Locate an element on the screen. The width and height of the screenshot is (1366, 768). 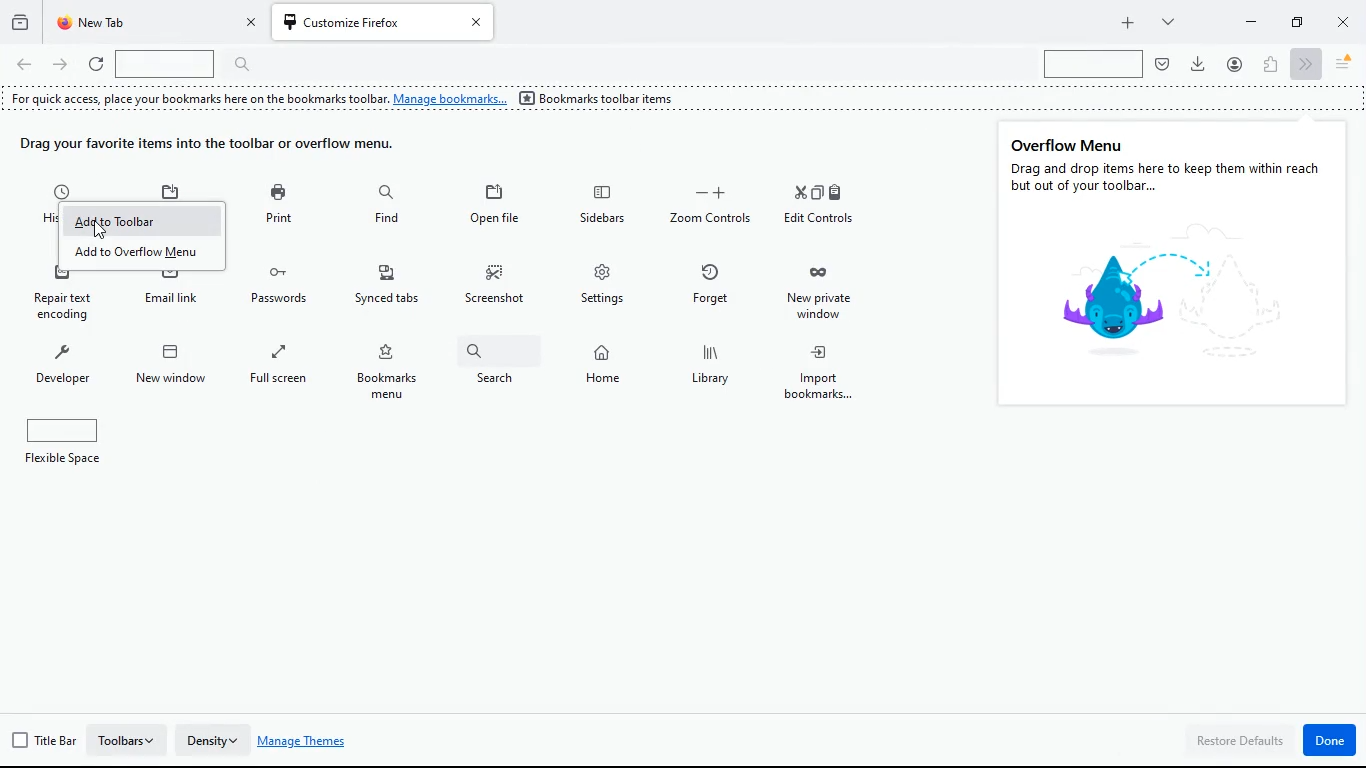
zoom controls is located at coordinates (713, 208).